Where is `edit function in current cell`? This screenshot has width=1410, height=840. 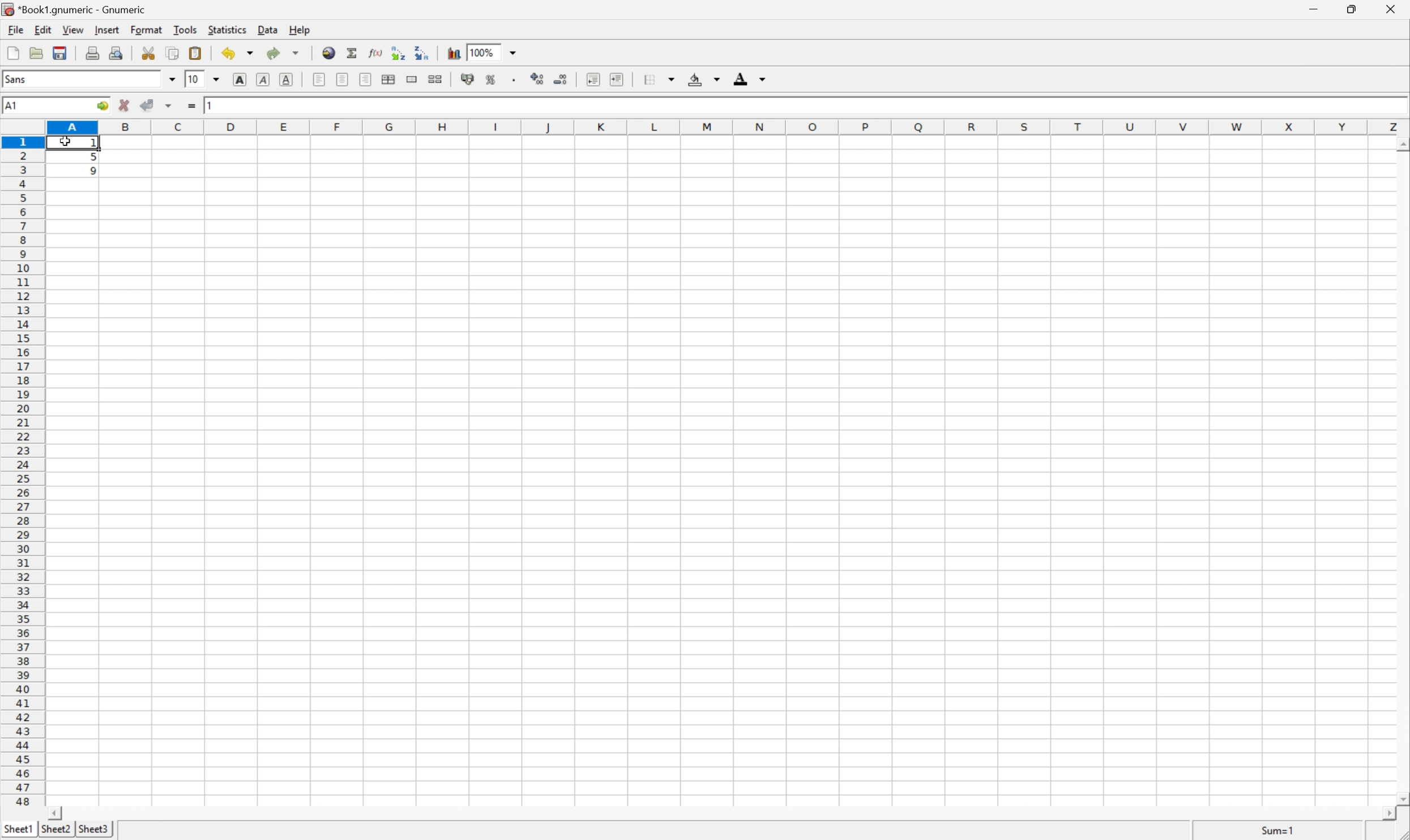 edit function in current cell is located at coordinates (377, 52).